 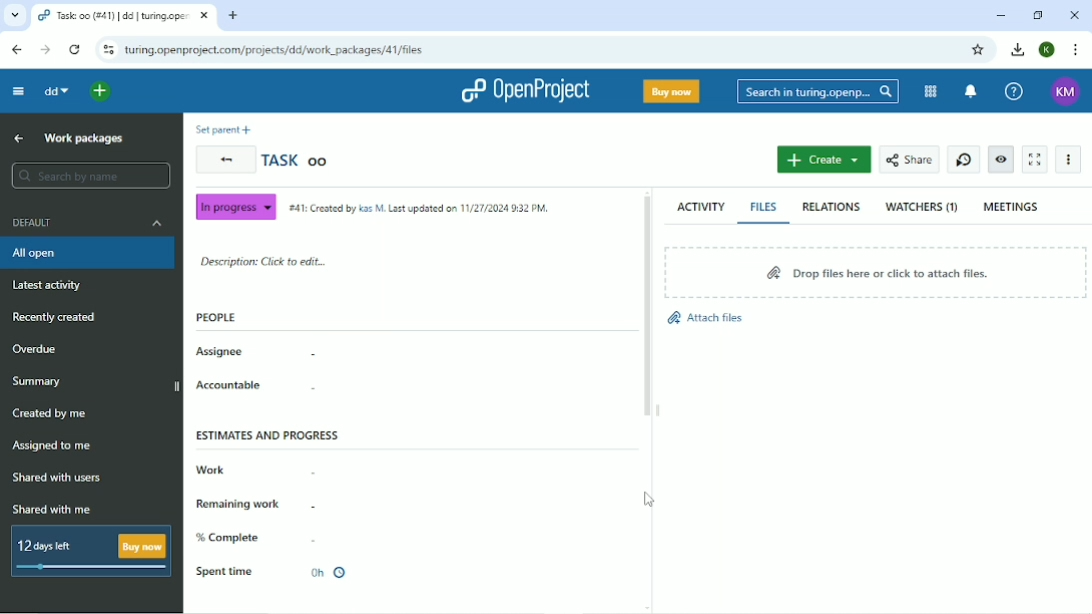 I want to click on Unwatch work package, so click(x=1002, y=160).